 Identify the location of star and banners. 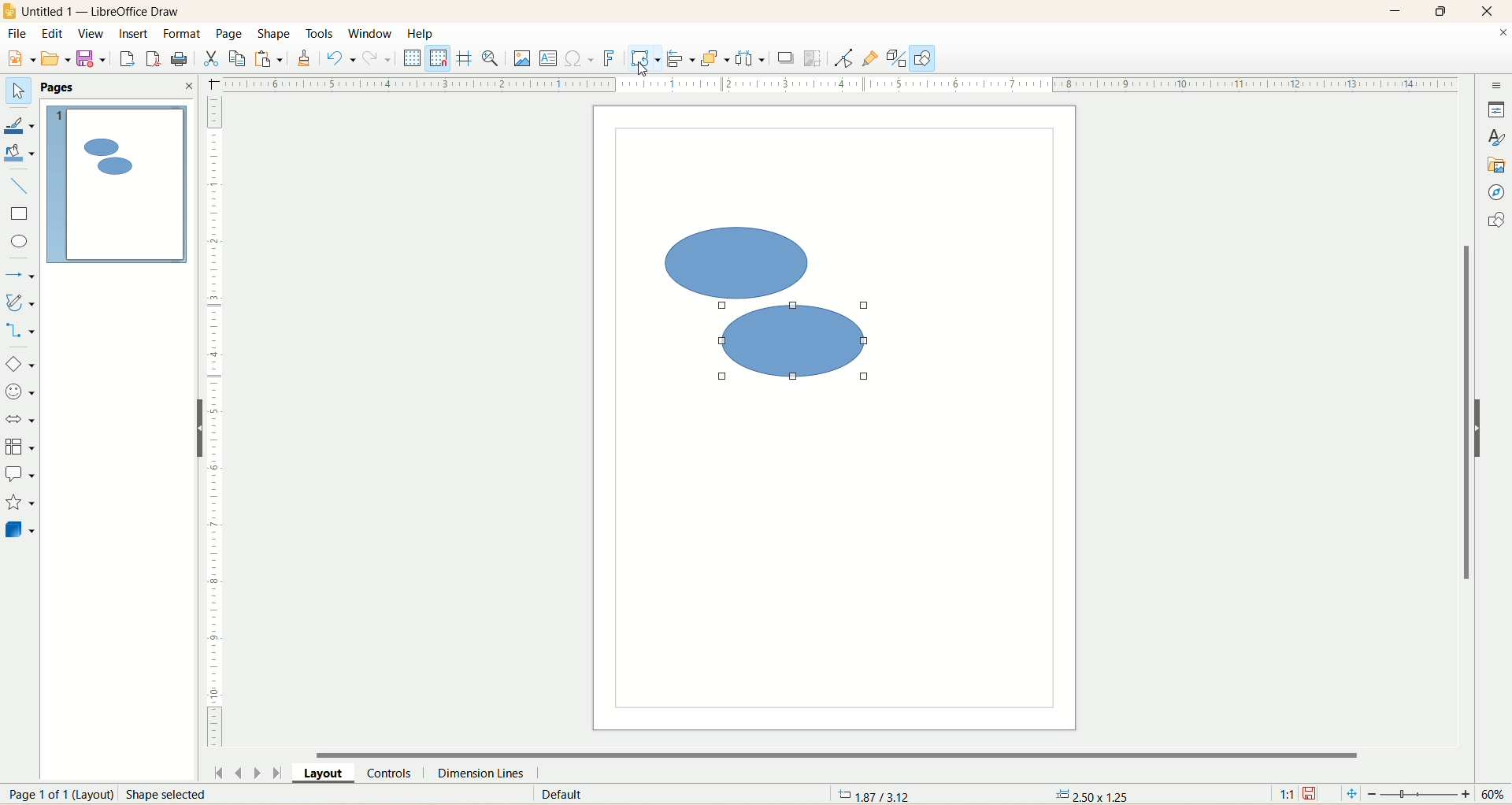
(19, 502).